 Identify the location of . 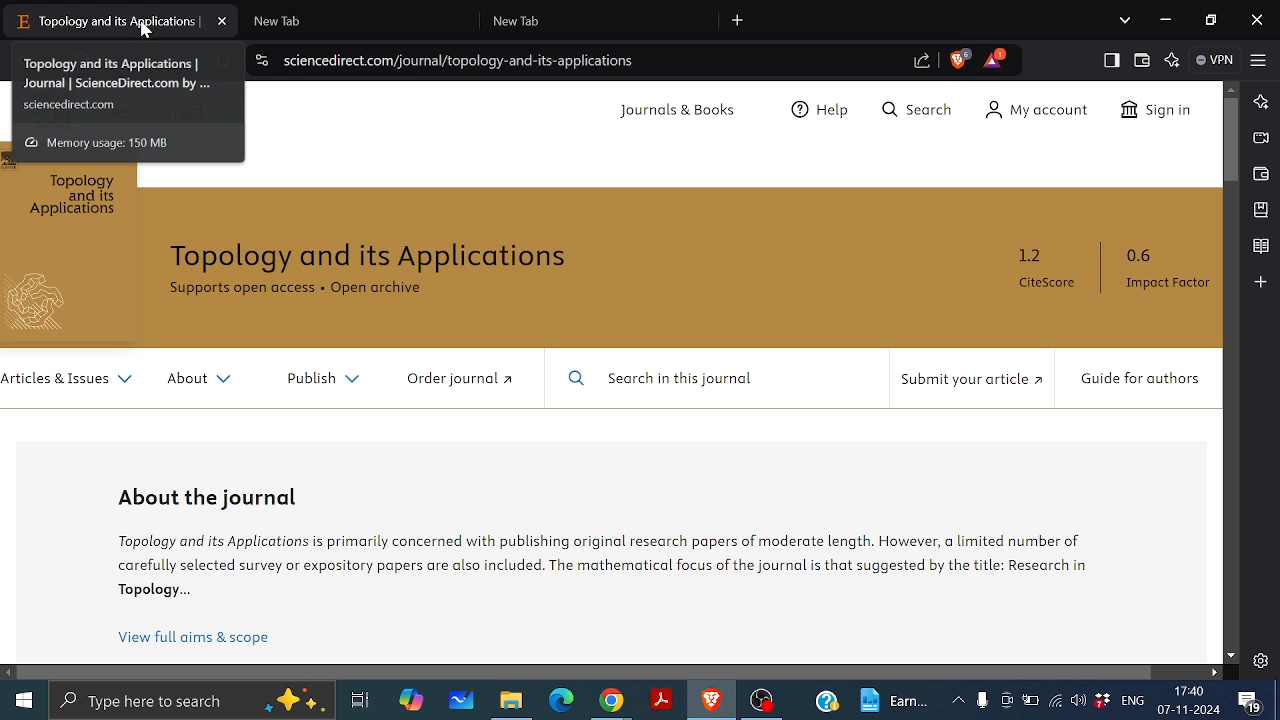
(46, 302).